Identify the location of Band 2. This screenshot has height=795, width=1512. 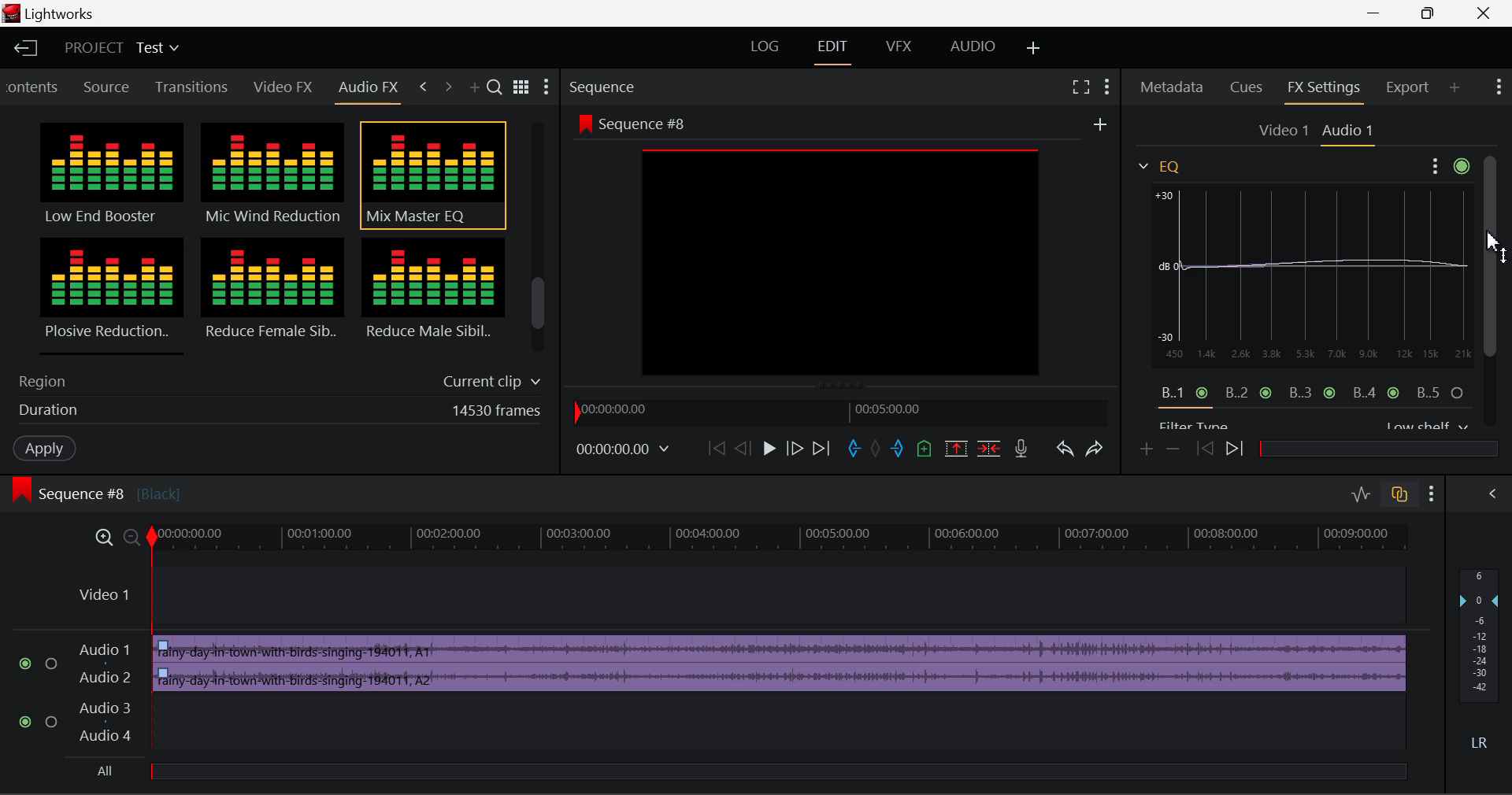
(1248, 394).